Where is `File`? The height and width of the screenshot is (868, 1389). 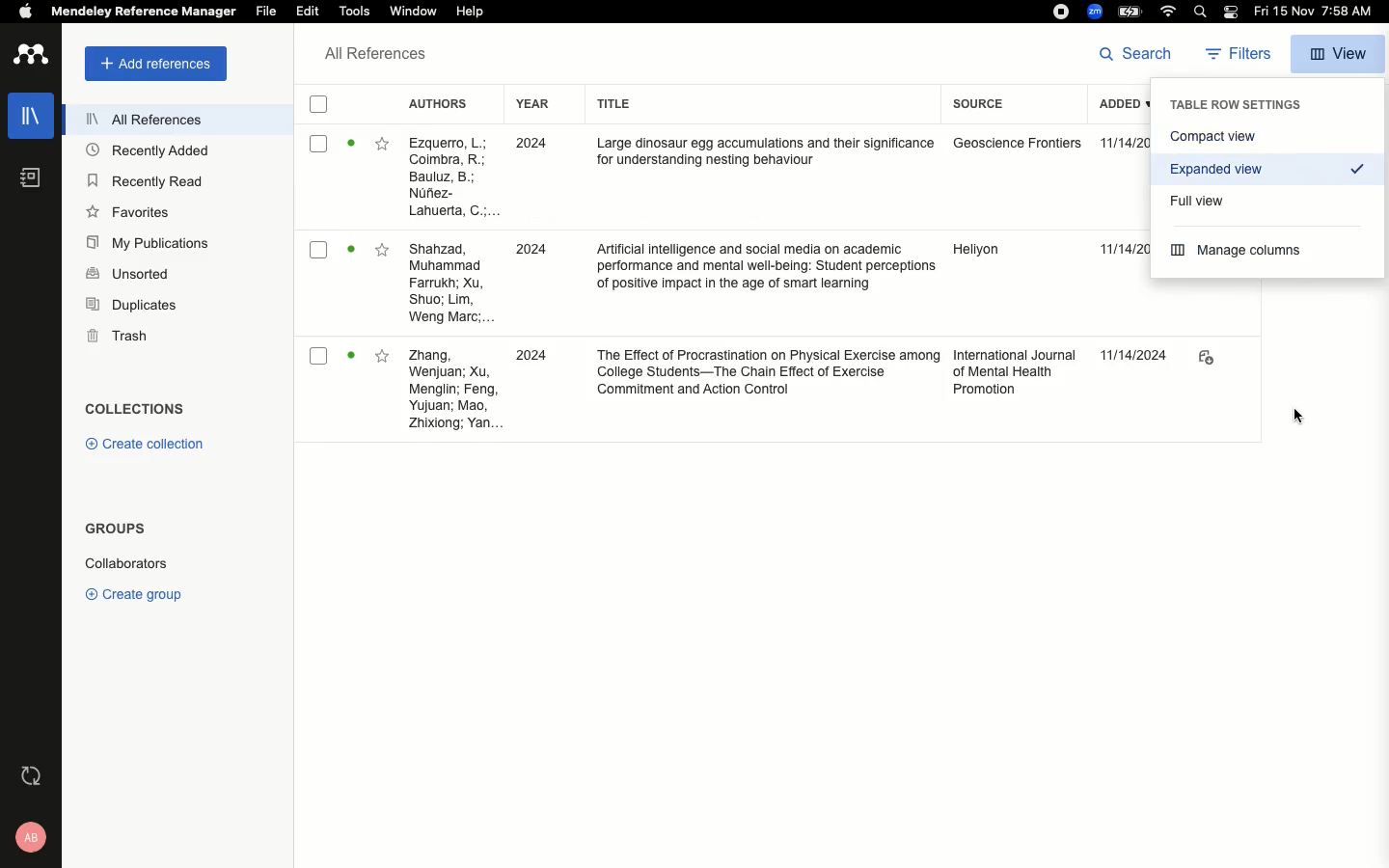 File is located at coordinates (267, 11).